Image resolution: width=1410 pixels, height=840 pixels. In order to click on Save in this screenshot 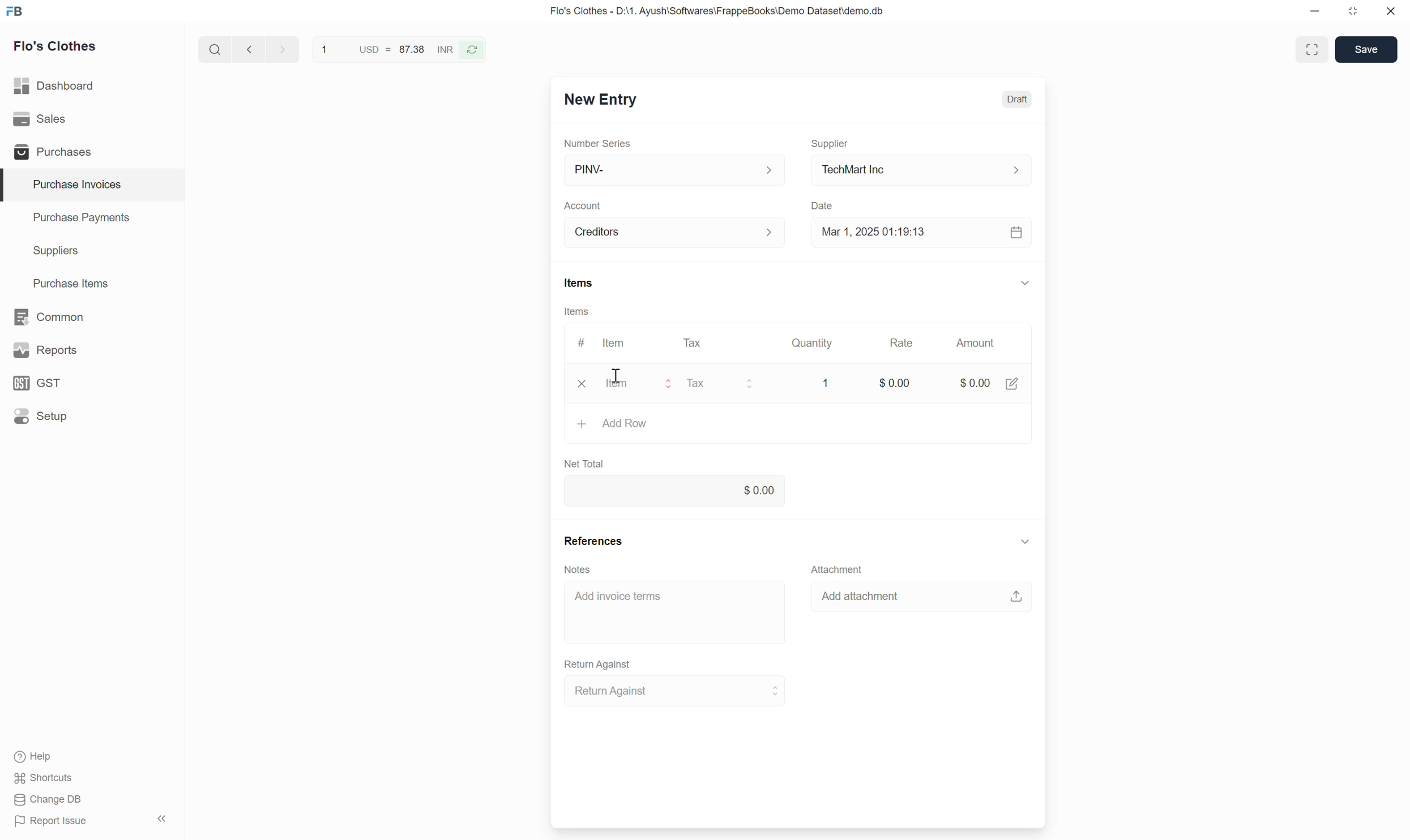, I will do `click(1365, 49)`.